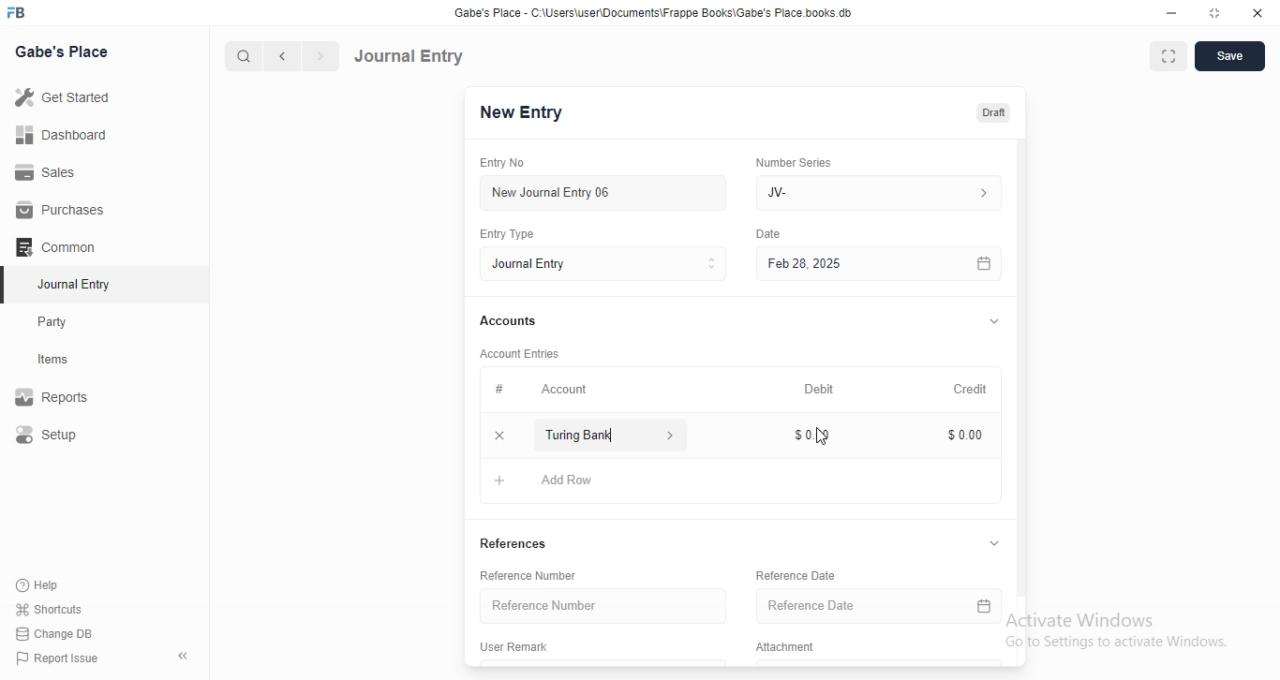  What do you see at coordinates (522, 648) in the screenshot?
I see `User Remark` at bounding box center [522, 648].